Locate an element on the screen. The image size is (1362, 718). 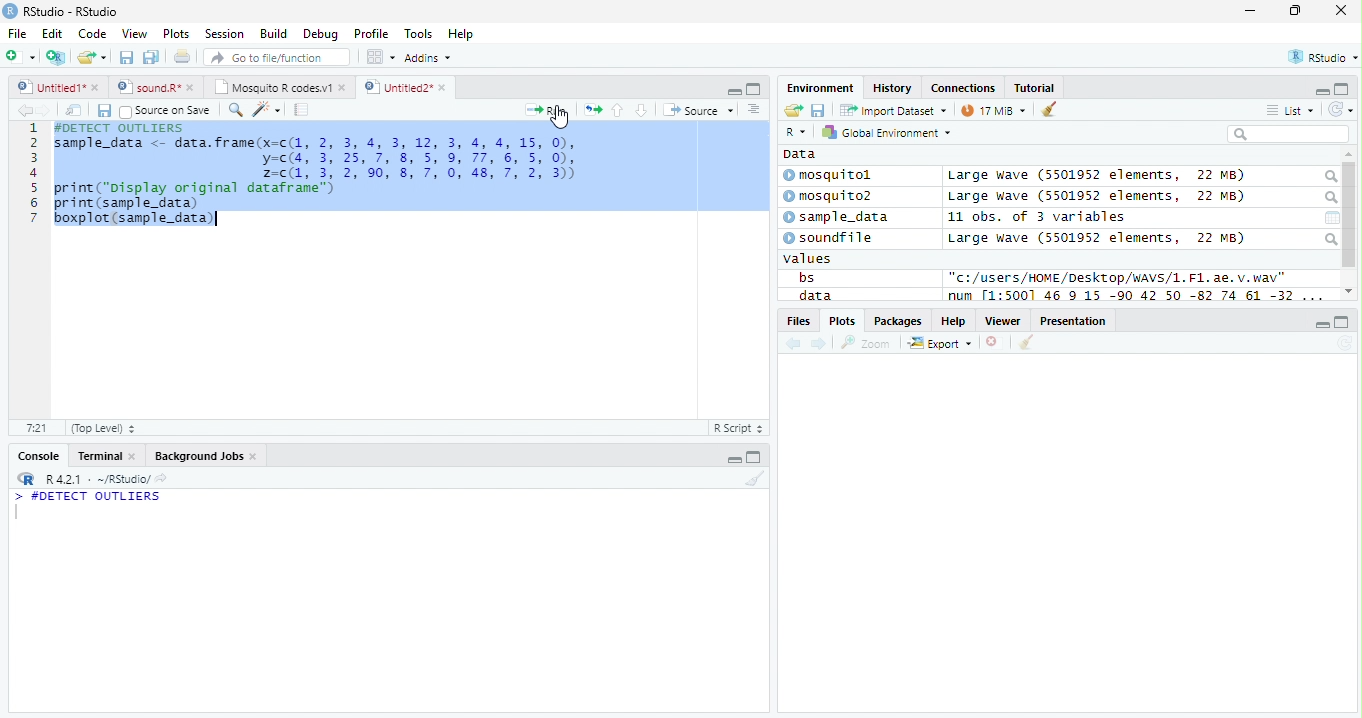
Edit is located at coordinates (53, 34).